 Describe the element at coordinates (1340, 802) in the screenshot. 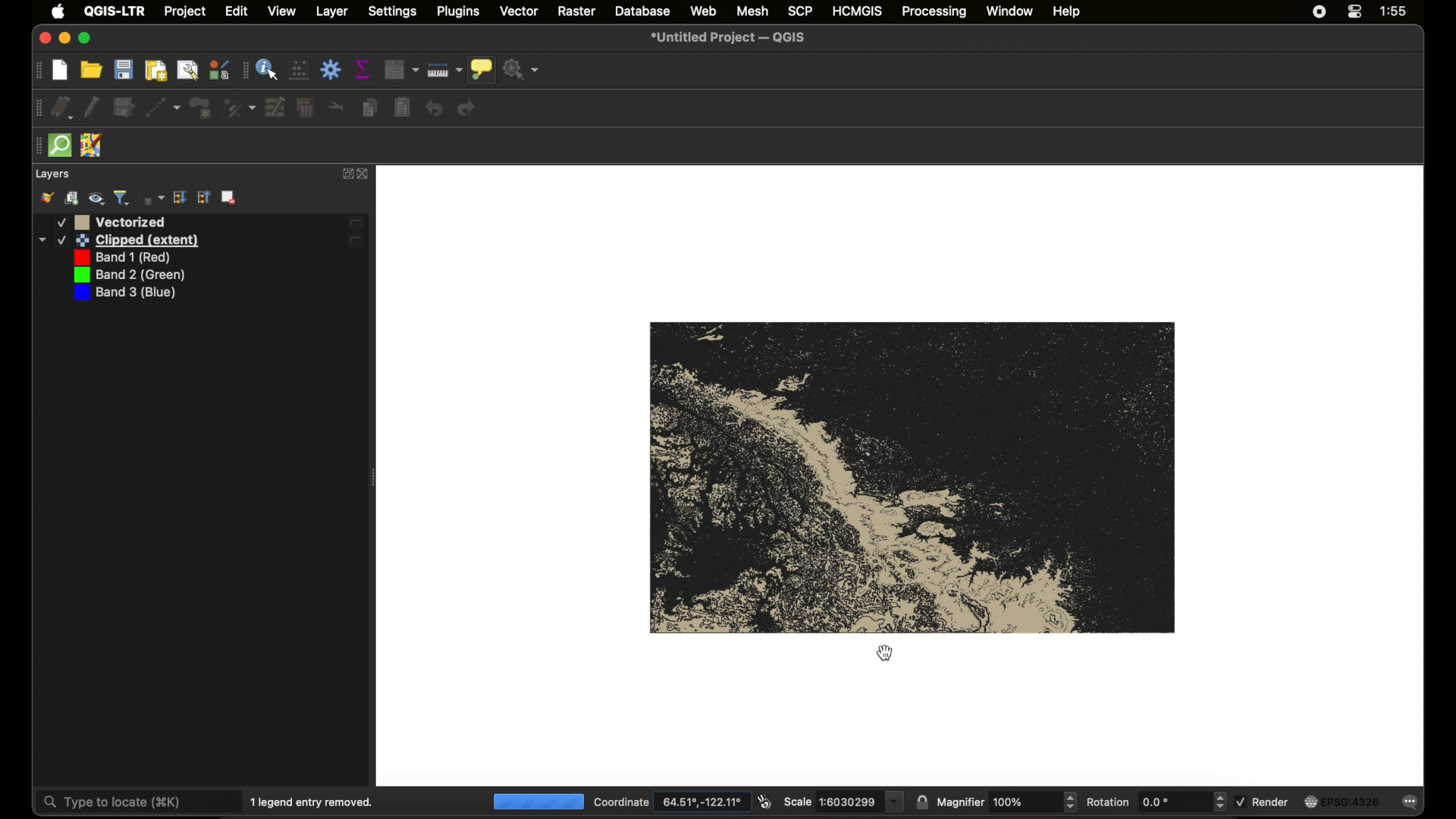

I see `current crs` at that location.